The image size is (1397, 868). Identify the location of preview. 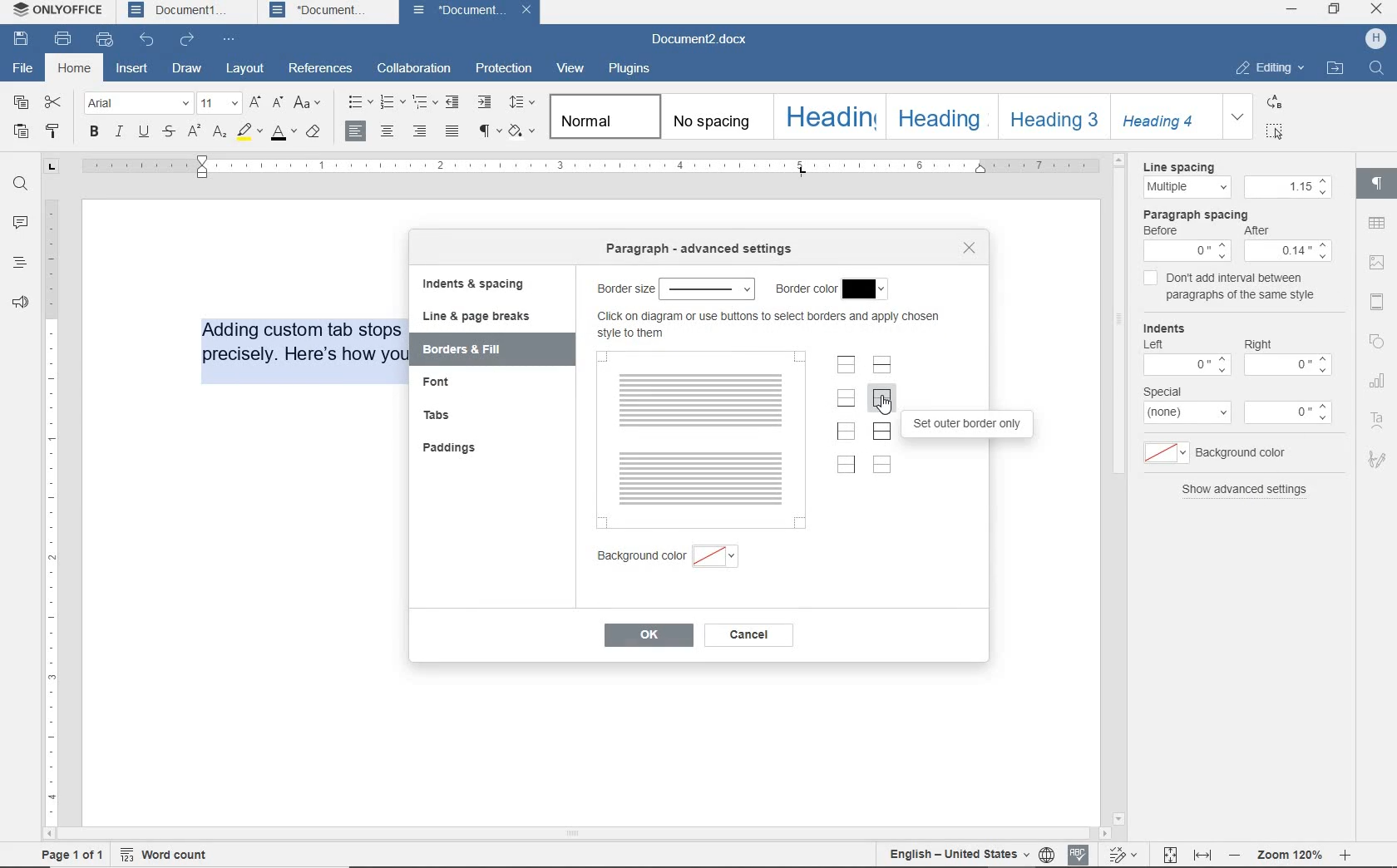
(702, 439).